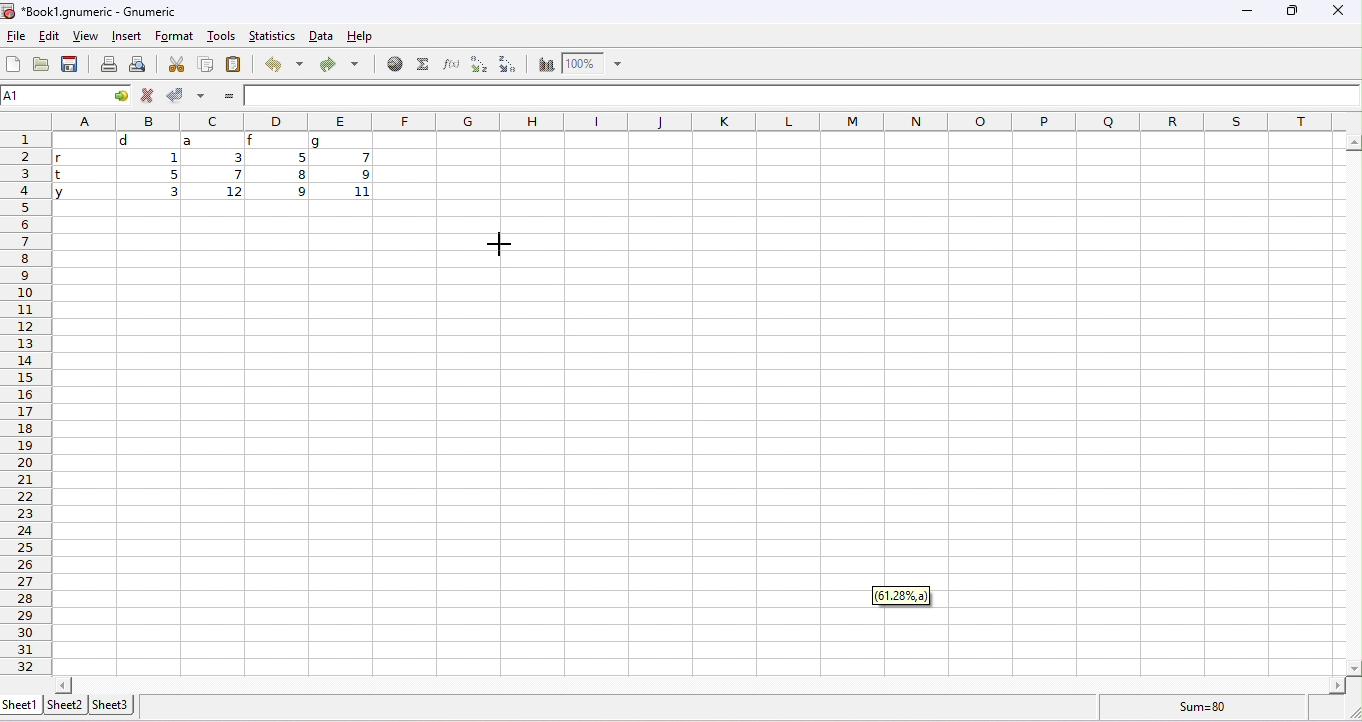 The image size is (1362, 722). Describe the element at coordinates (216, 171) in the screenshot. I see `cell ranges` at that location.